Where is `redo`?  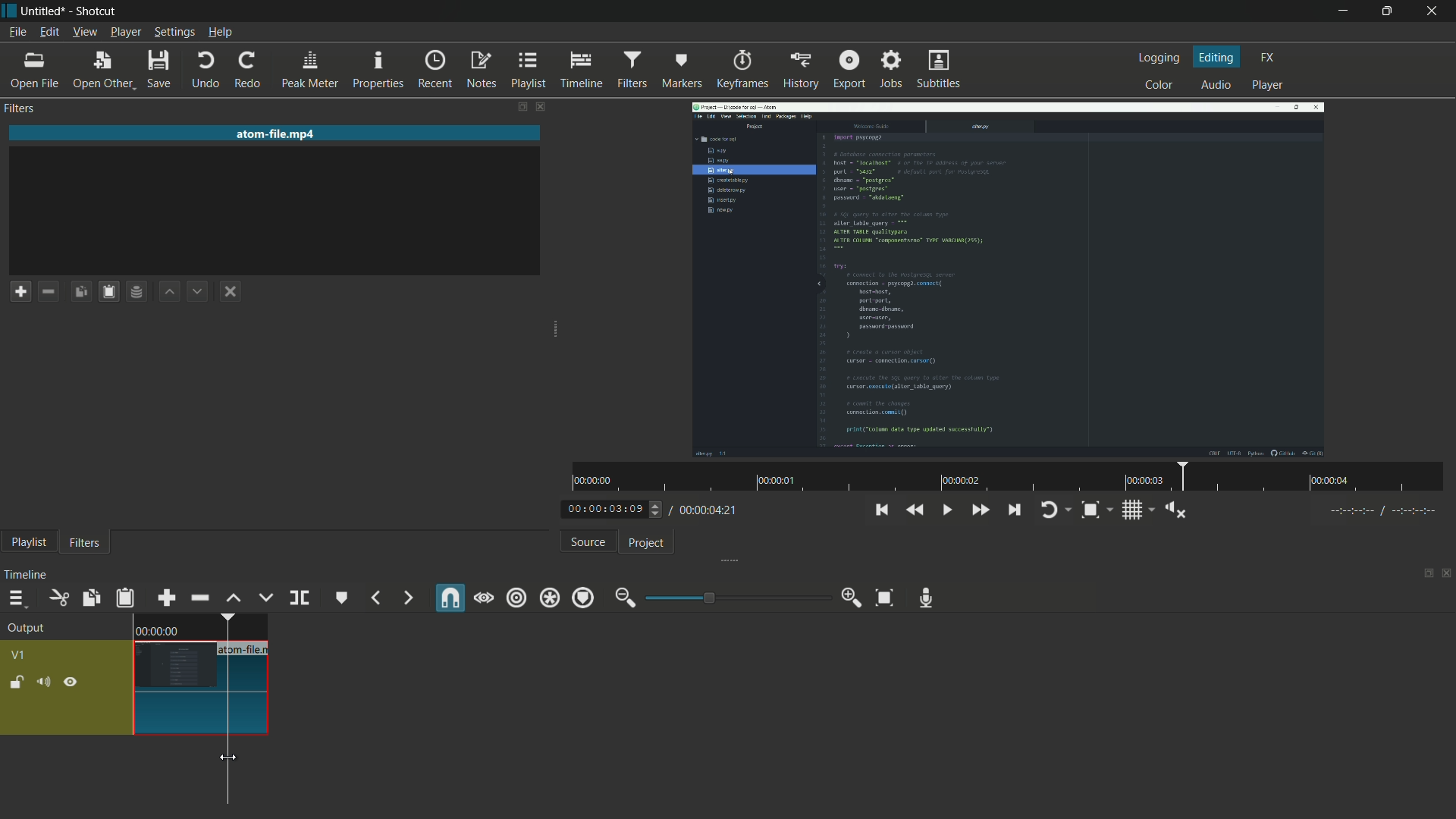
redo is located at coordinates (248, 71).